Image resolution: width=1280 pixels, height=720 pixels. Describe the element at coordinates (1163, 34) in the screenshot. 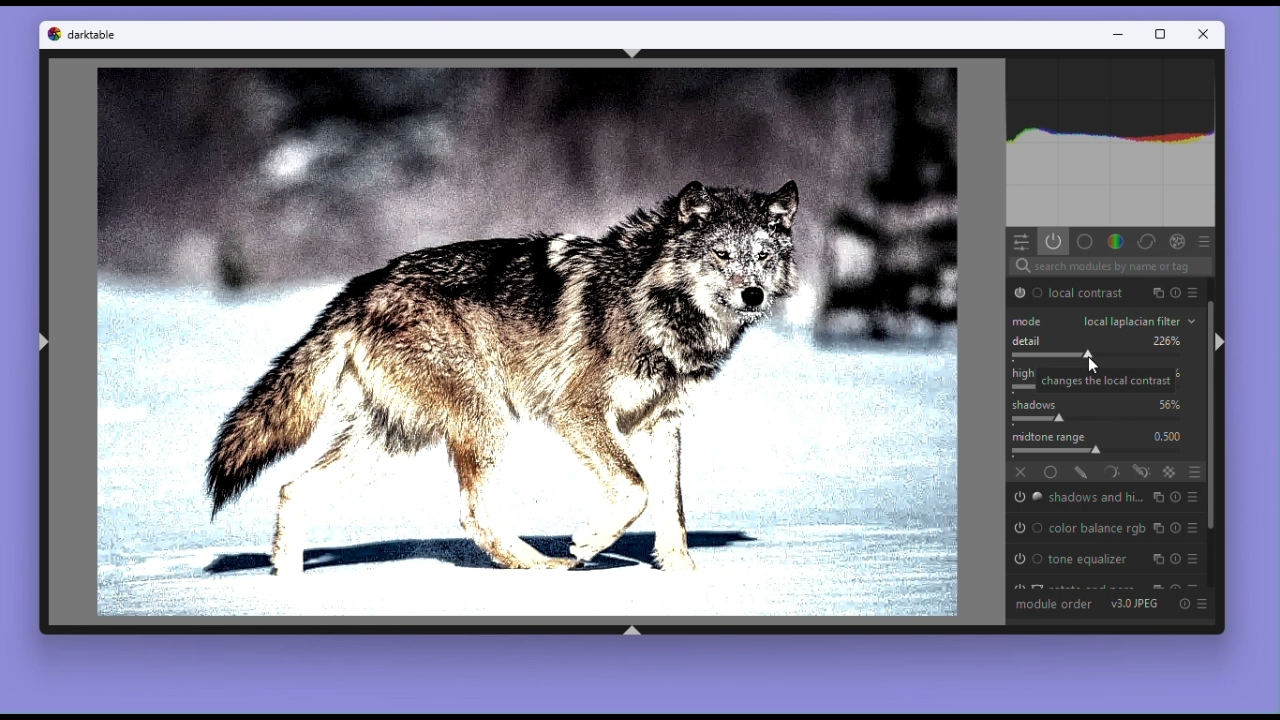

I see `Restore down` at that location.